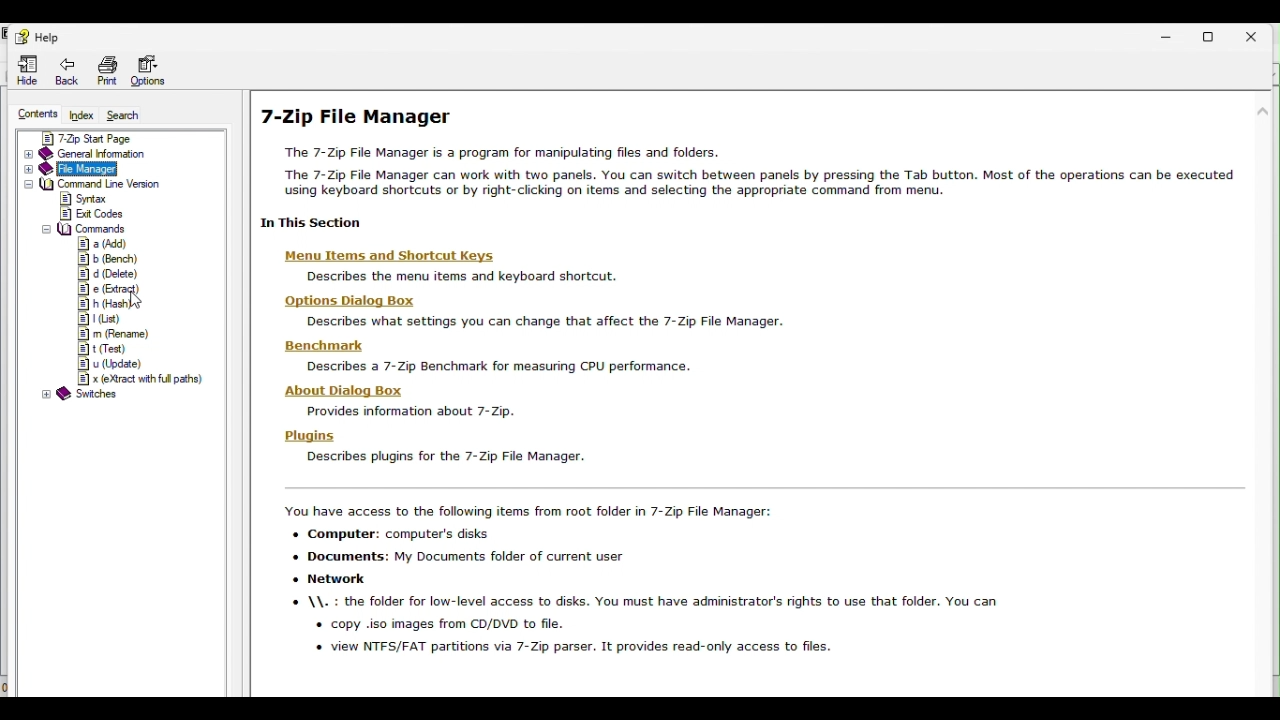  Describe the element at coordinates (98, 319) in the screenshot. I see `l (list)` at that location.